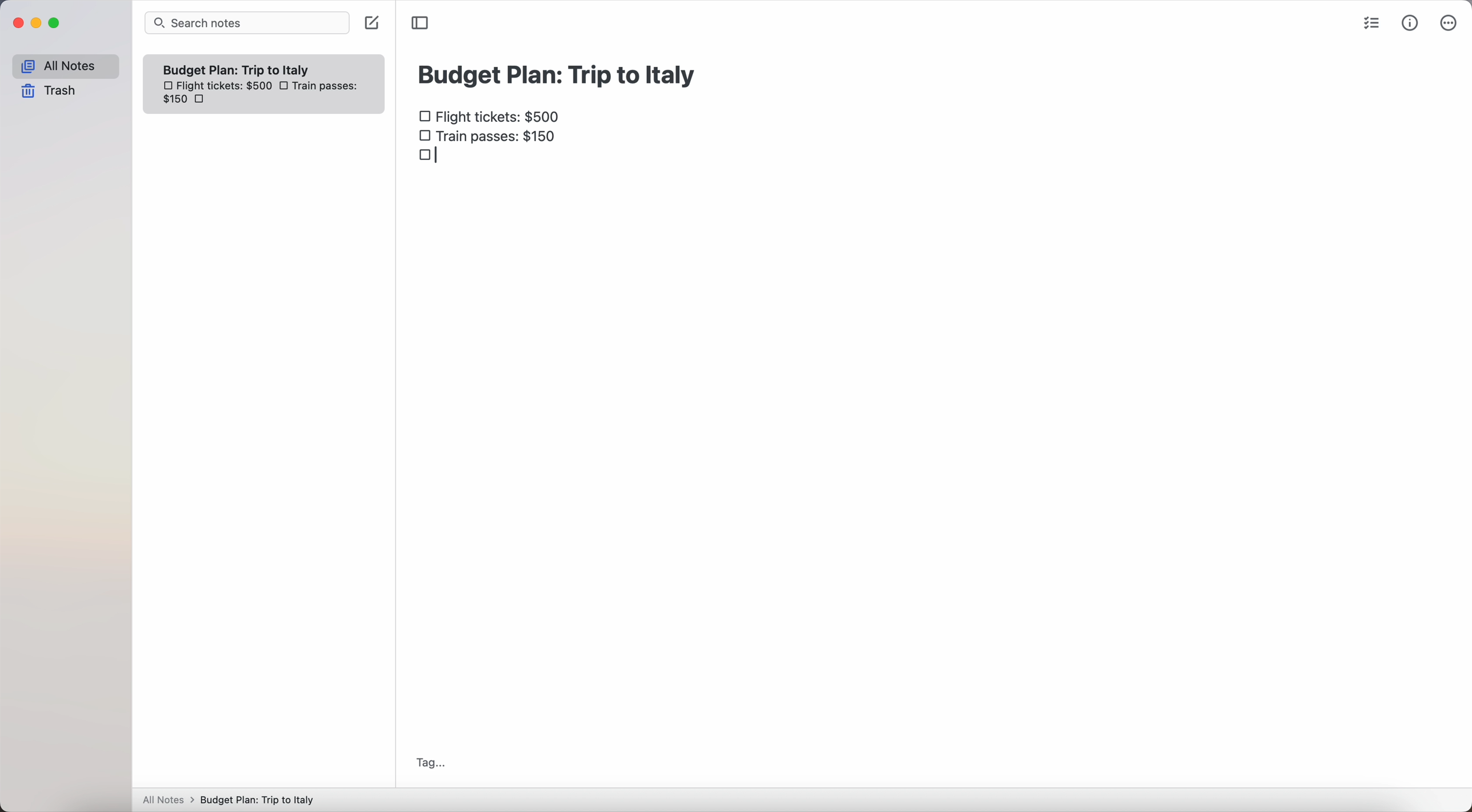 This screenshot has width=1472, height=812. What do you see at coordinates (286, 86) in the screenshot?
I see `checkbox` at bounding box center [286, 86].